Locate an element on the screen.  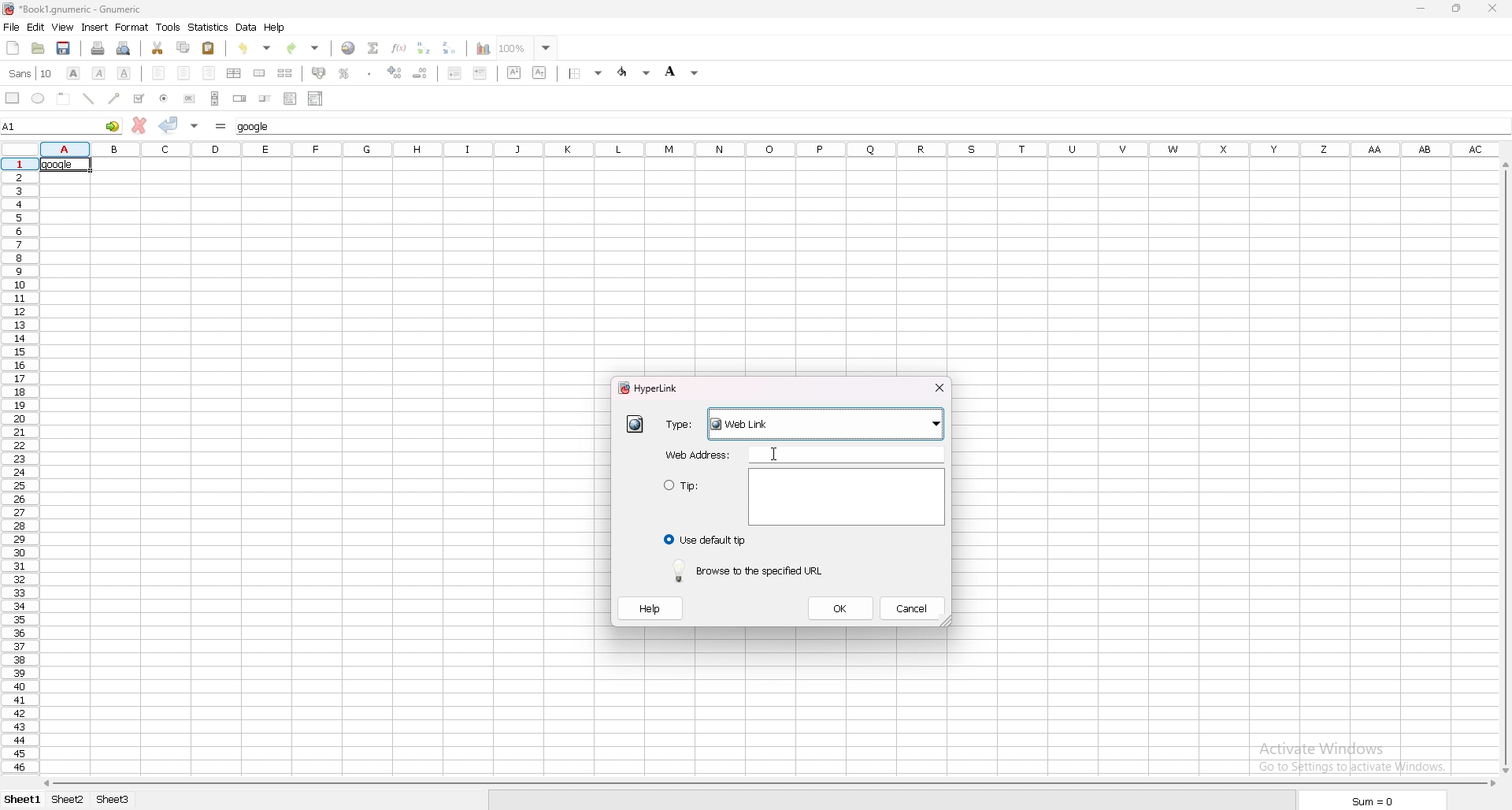
function is located at coordinates (398, 48).